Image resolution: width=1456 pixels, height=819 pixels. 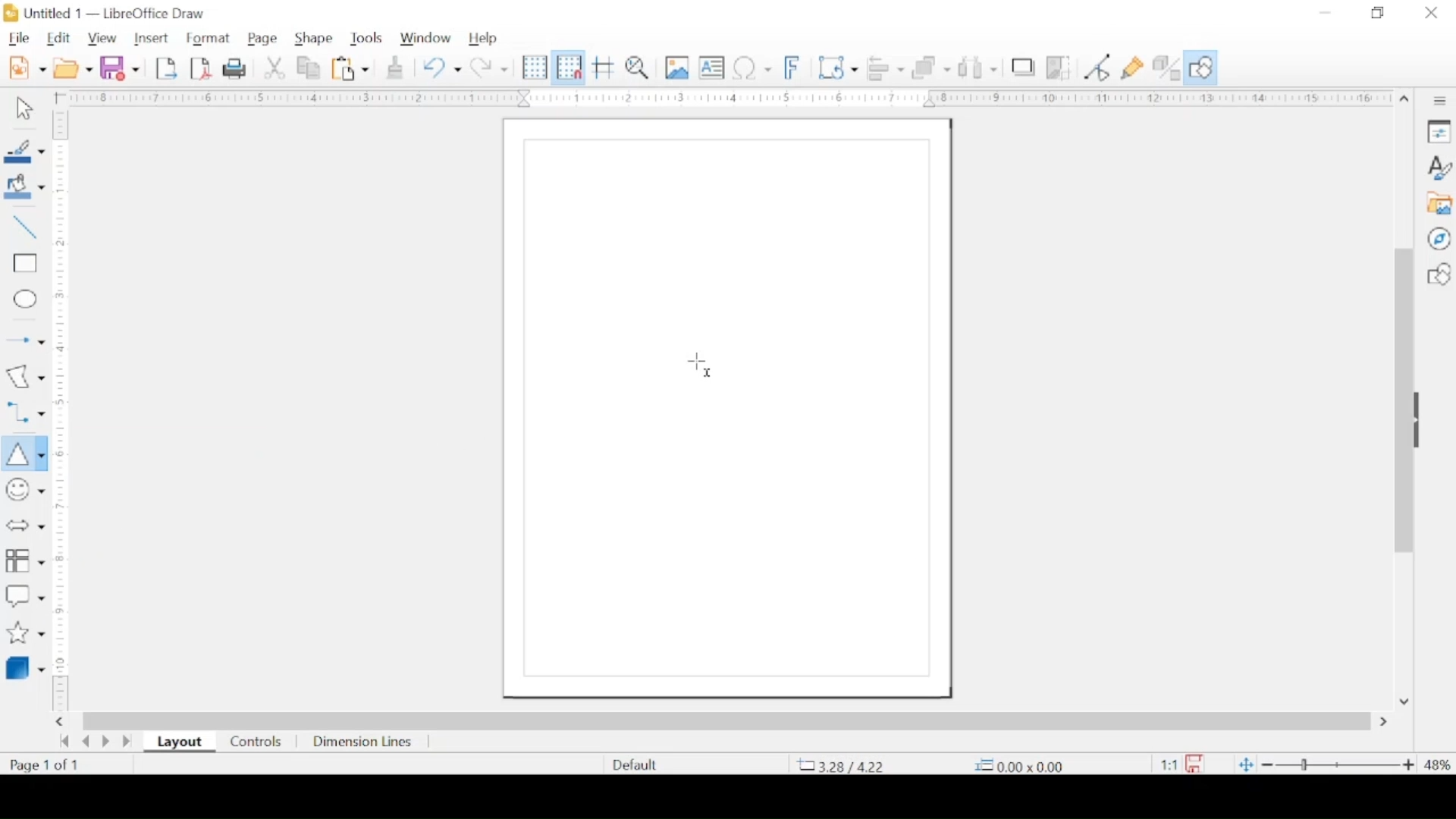 What do you see at coordinates (442, 68) in the screenshot?
I see `undo` at bounding box center [442, 68].